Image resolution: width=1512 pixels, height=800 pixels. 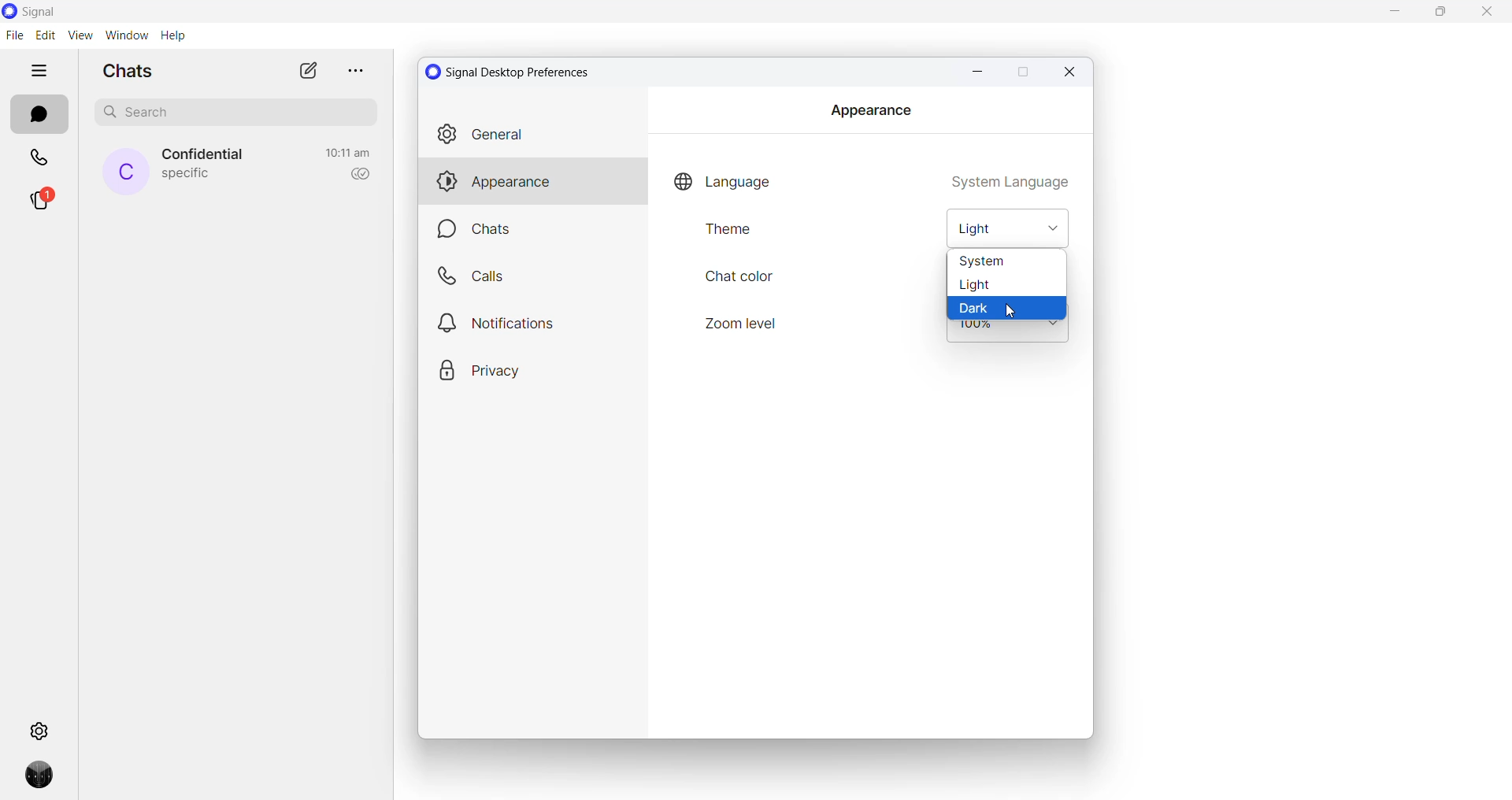 I want to click on , so click(x=532, y=276).